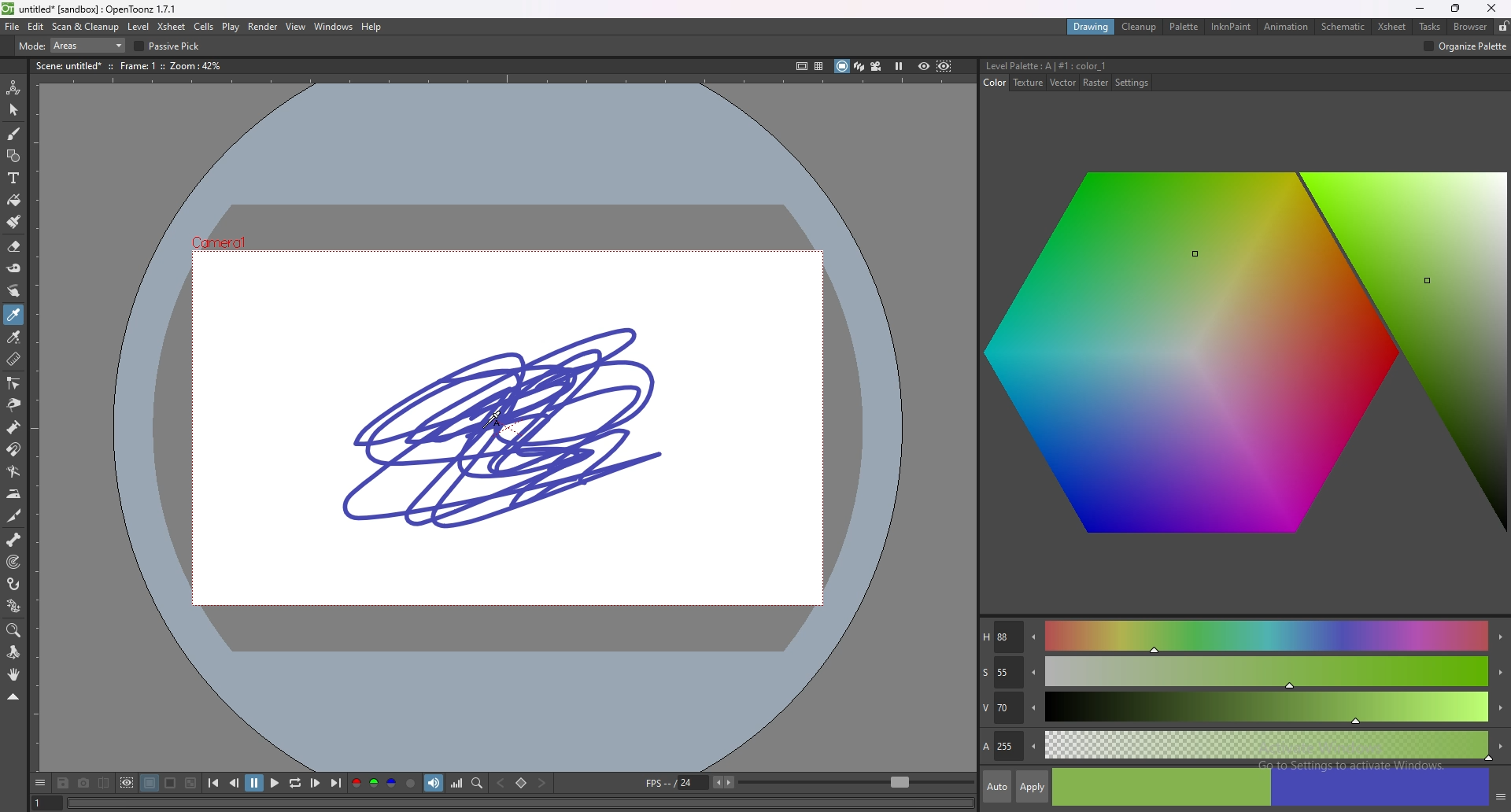 The width and height of the screenshot is (1511, 812). I want to click on red channel, so click(354, 783).